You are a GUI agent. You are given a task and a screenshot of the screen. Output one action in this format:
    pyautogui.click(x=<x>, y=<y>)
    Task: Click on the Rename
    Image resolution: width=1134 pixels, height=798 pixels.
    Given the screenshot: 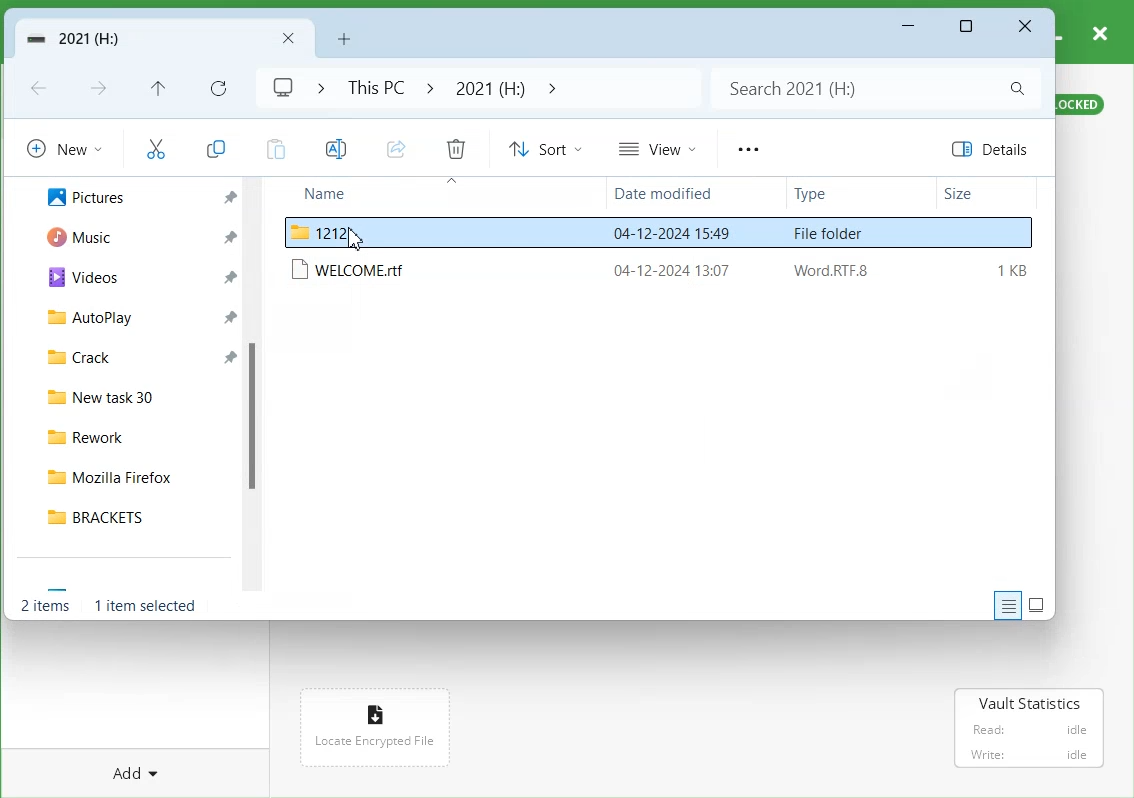 What is the action you would take?
    pyautogui.click(x=334, y=148)
    